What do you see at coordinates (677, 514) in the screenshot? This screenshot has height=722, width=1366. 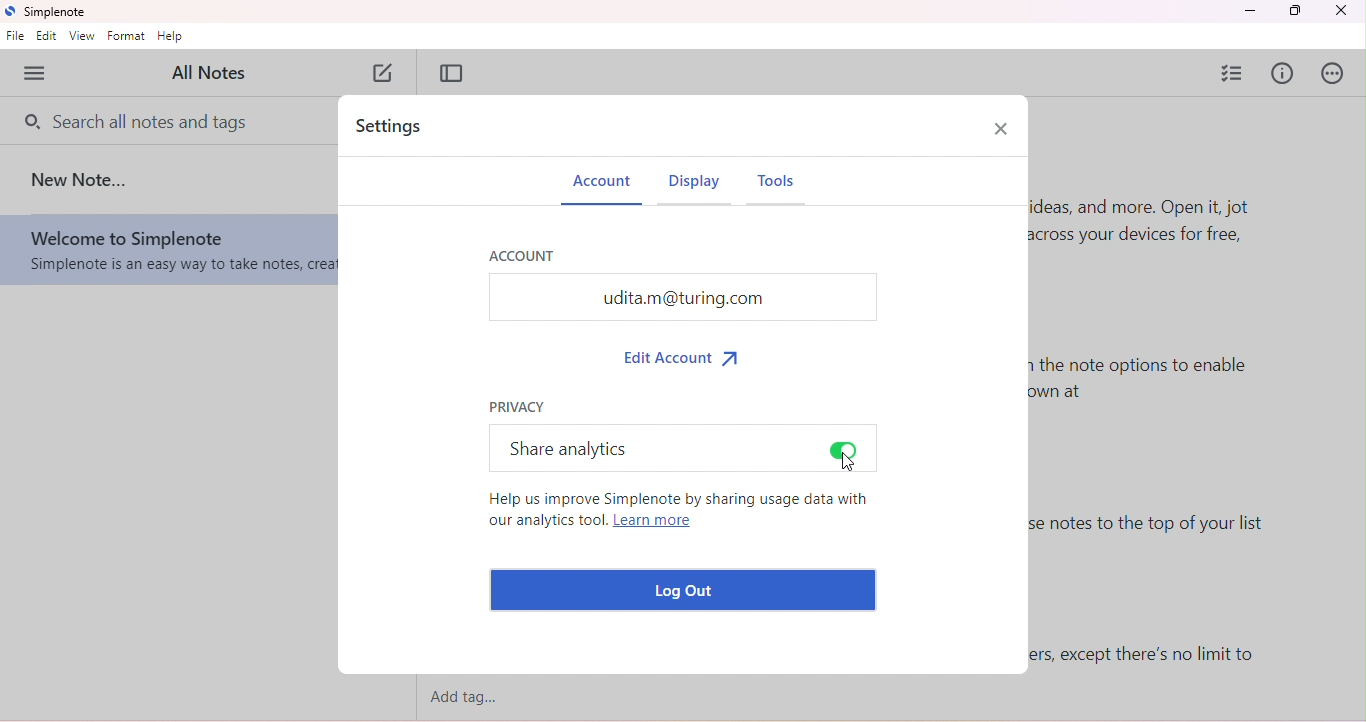 I see `text on improving simplenote` at bounding box center [677, 514].